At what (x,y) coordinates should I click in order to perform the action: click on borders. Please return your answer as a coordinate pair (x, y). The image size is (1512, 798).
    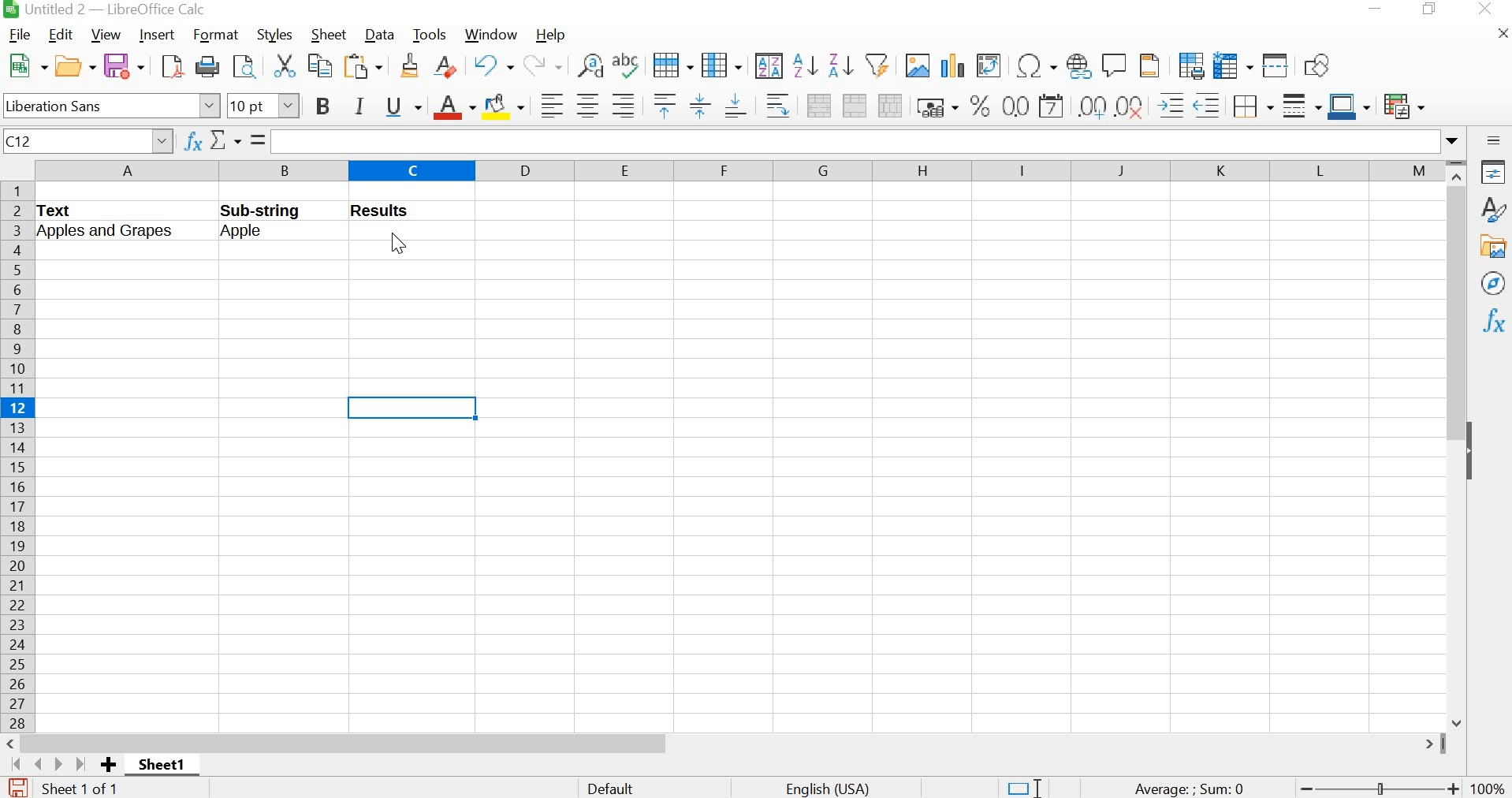
    Looking at the image, I should click on (1252, 104).